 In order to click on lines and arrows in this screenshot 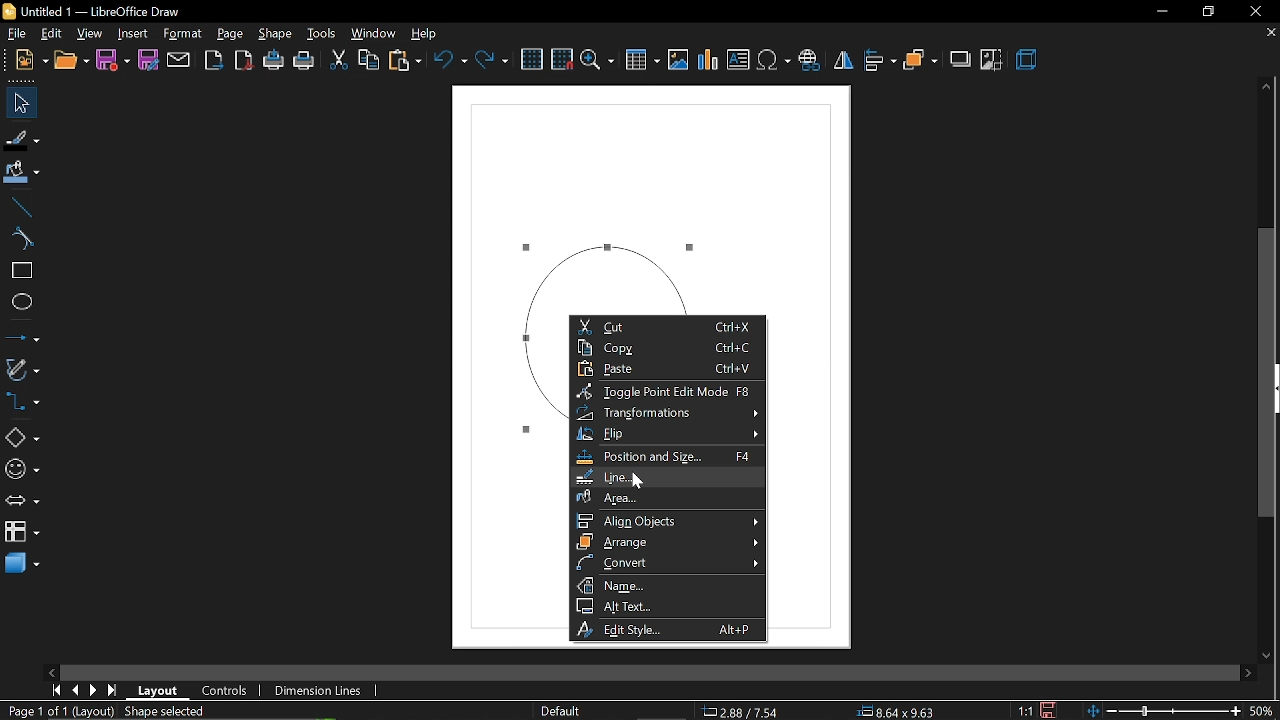, I will do `click(24, 336)`.